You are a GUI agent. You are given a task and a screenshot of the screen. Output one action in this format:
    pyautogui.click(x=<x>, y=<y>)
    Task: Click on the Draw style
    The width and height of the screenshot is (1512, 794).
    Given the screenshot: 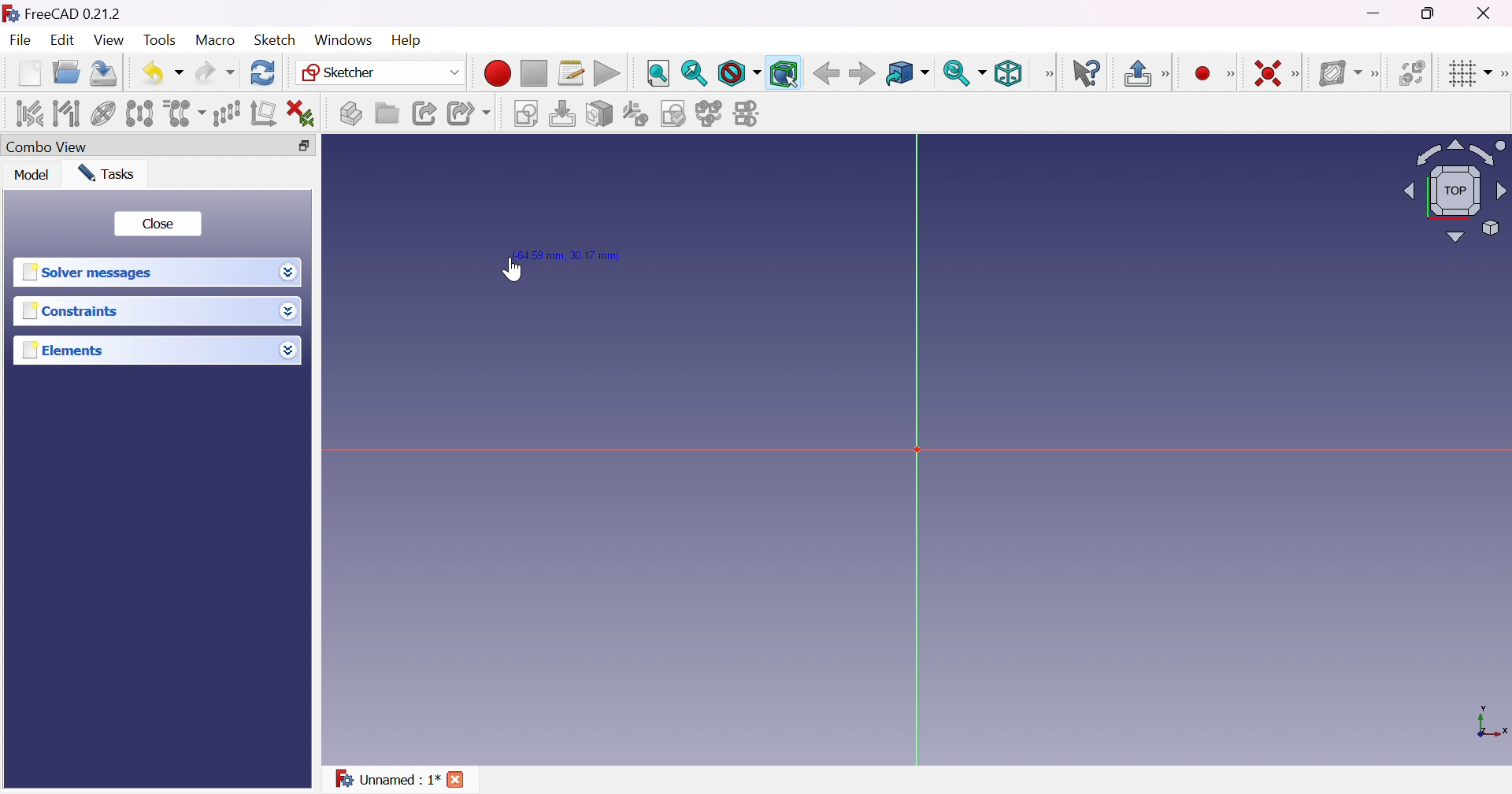 What is the action you would take?
    pyautogui.click(x=738, y=73)
    